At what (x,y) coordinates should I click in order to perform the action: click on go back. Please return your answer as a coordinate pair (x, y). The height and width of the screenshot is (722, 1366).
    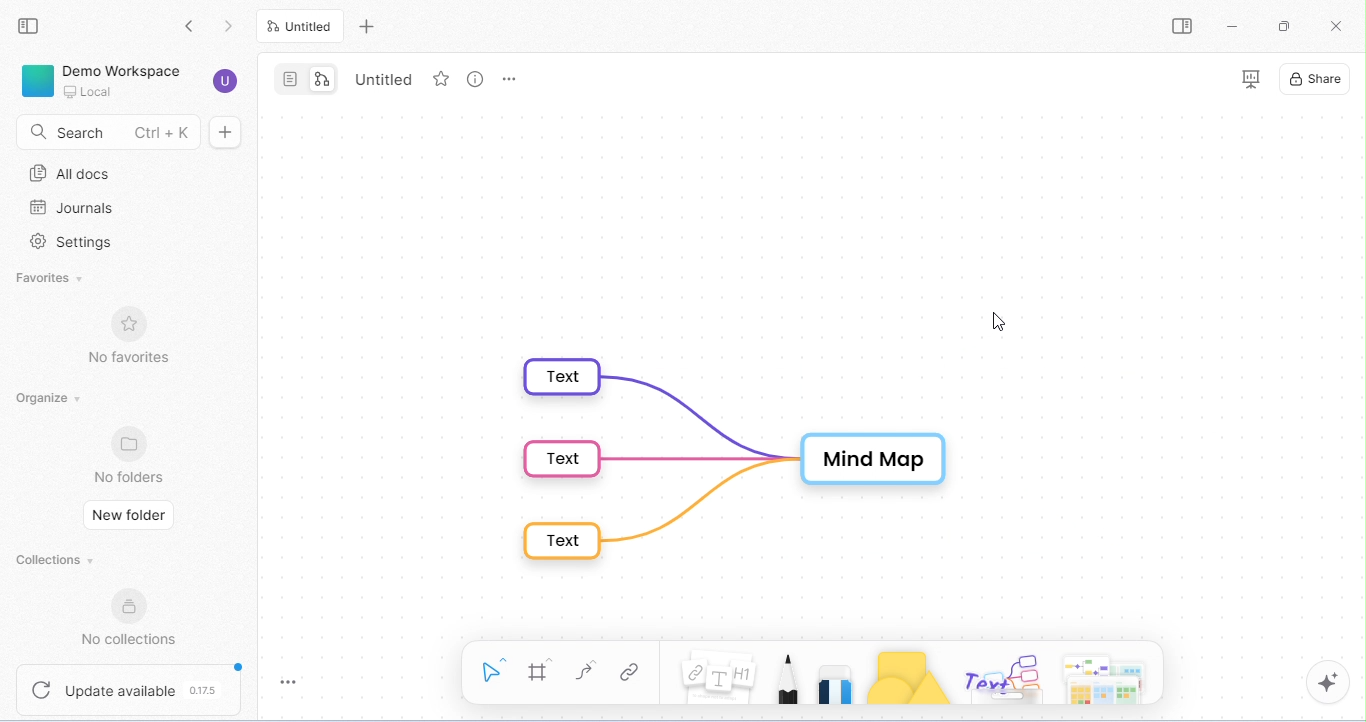
    Looking at the image, I should click on (189, 25).